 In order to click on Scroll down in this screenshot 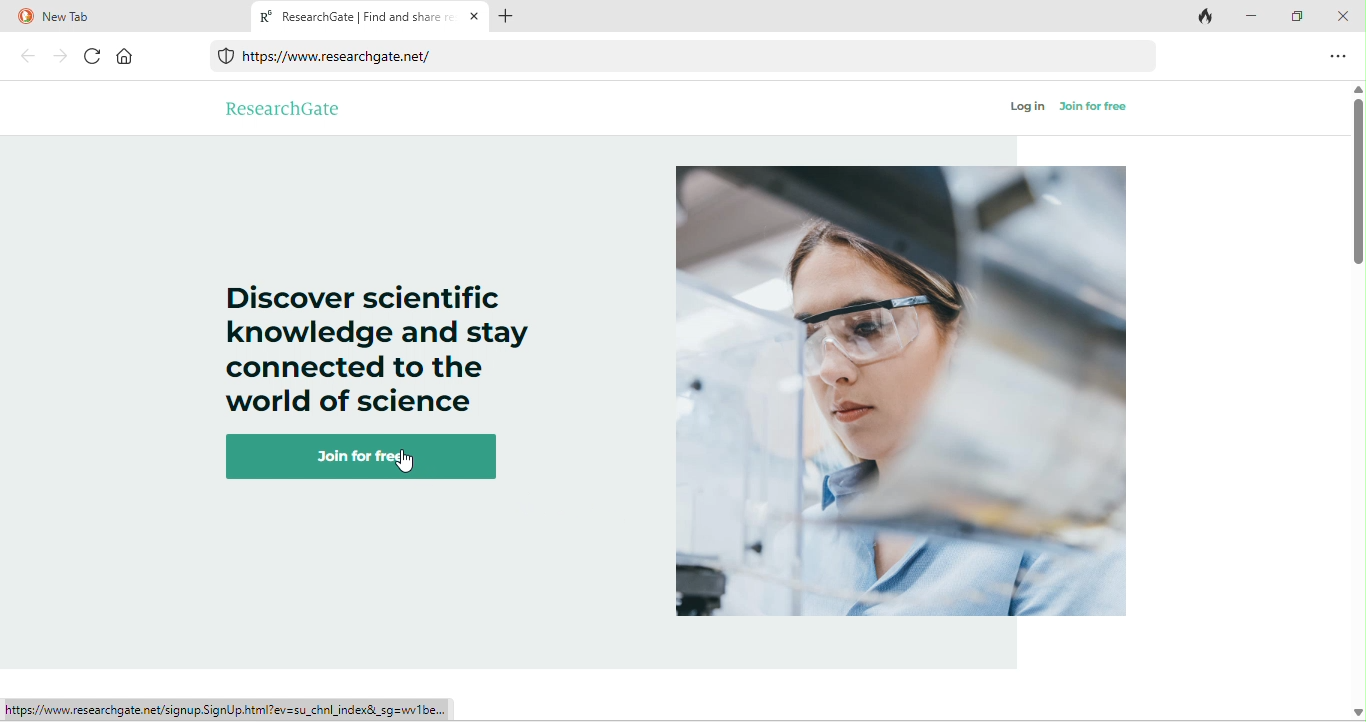, I will do `click(1357, 712)`.